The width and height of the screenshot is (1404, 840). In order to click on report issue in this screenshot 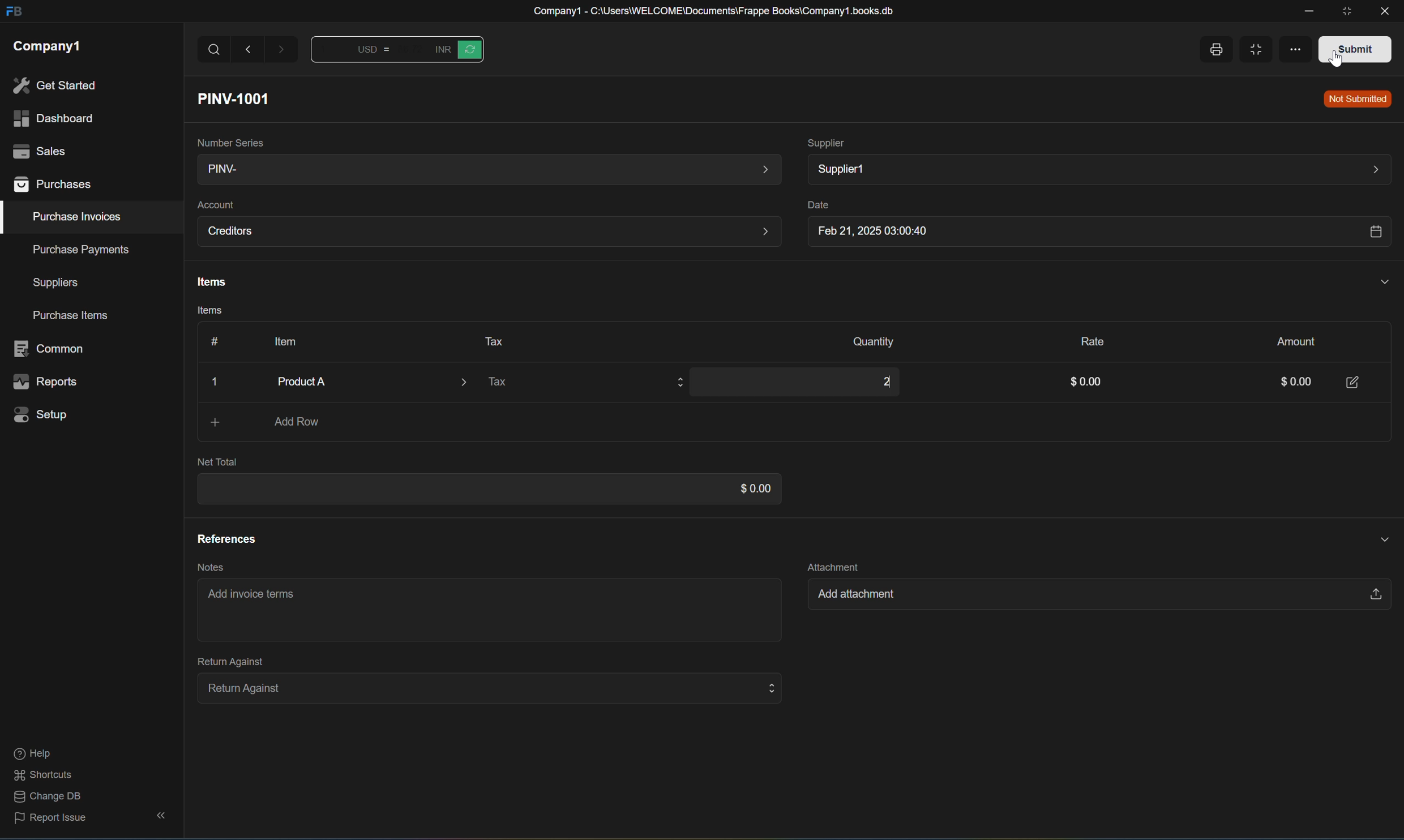, I will do `click(51, 821)`.